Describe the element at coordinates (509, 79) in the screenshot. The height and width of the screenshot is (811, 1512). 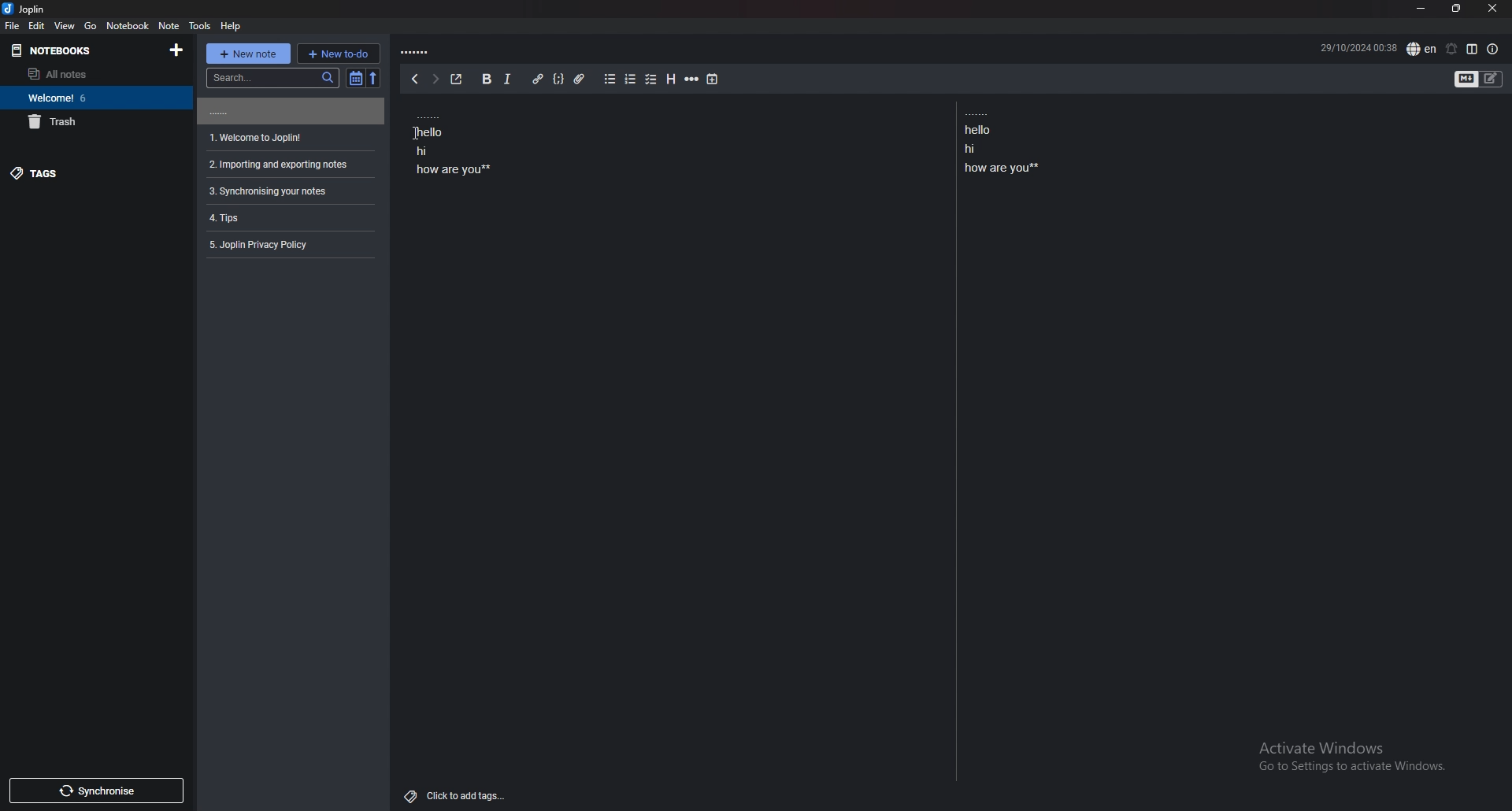
I see `italic` at that location.